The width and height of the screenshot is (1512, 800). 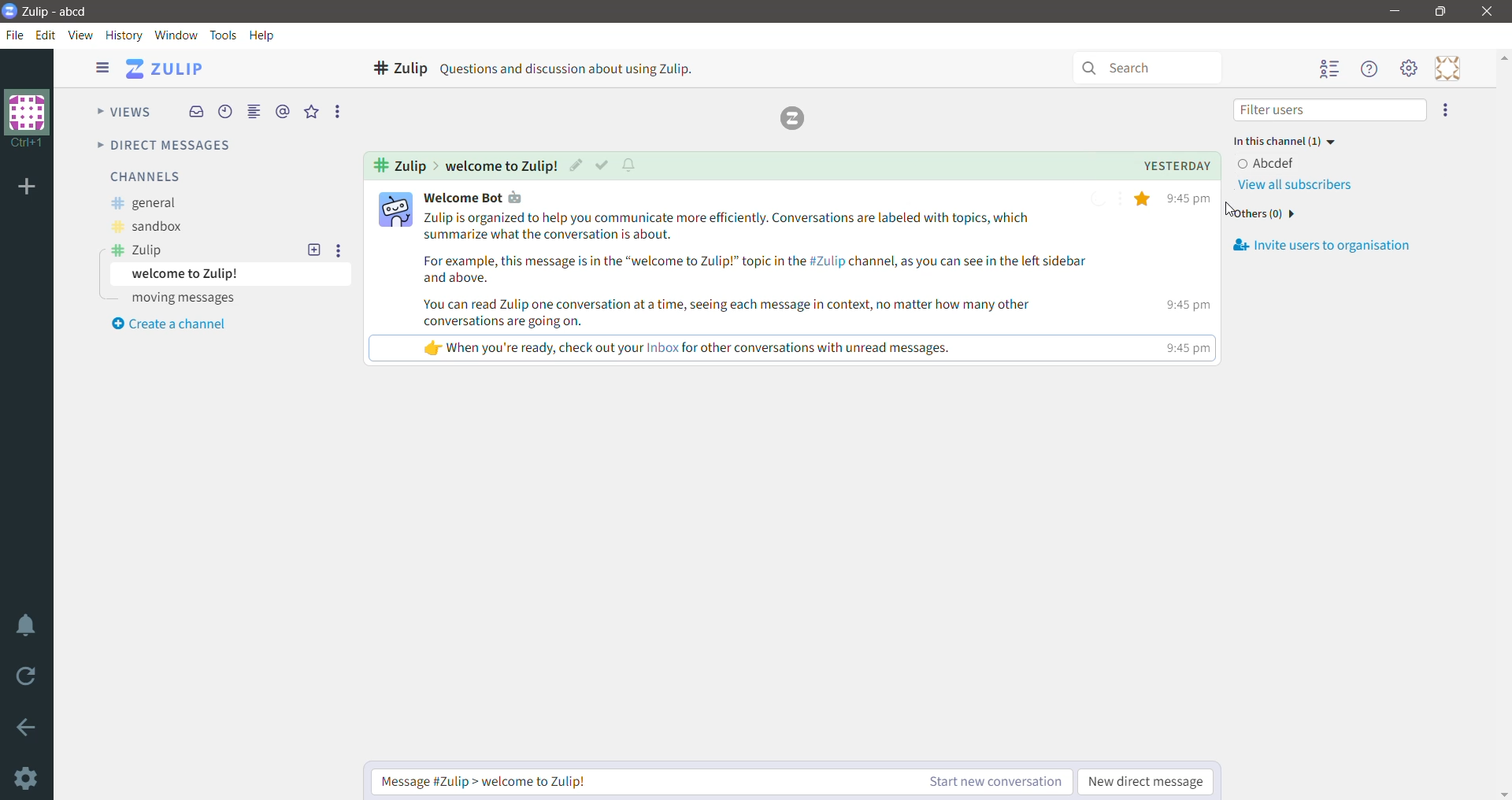 What do you see at coordinates (797, 117) in the screenshot?
I see `Logo` at bounding box center [797, 117].